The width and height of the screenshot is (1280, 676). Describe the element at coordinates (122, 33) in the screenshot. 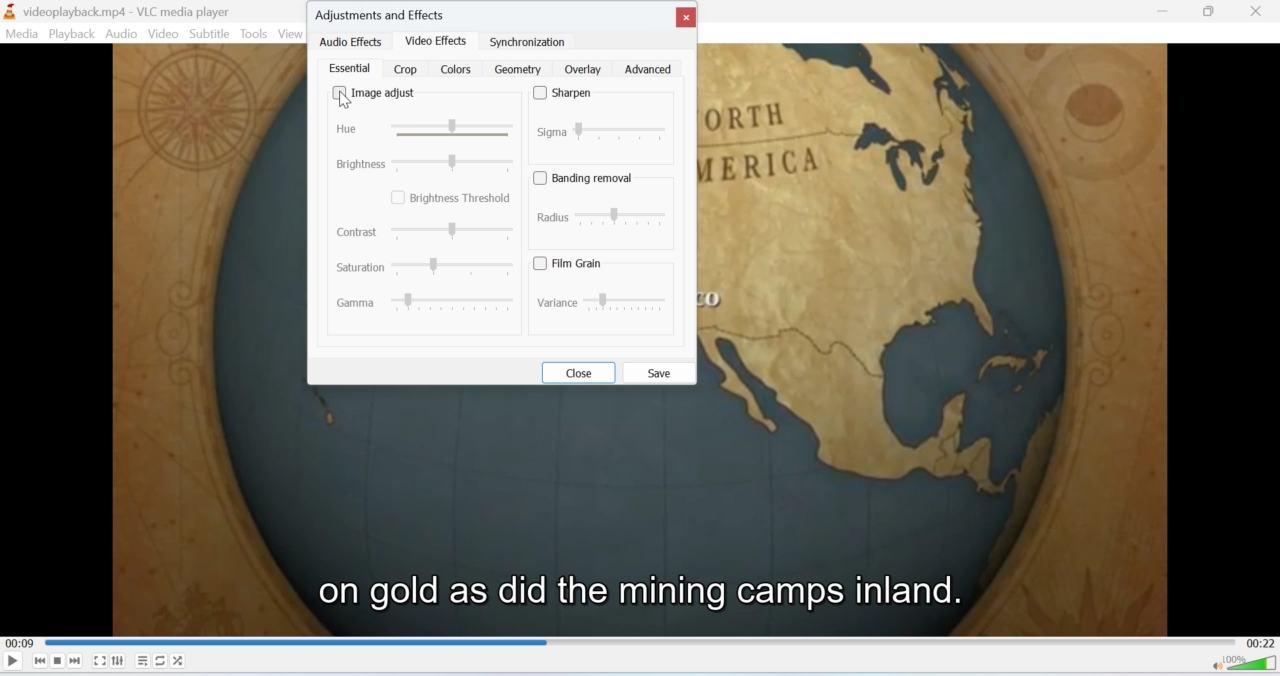

I see `Audio` at that location.